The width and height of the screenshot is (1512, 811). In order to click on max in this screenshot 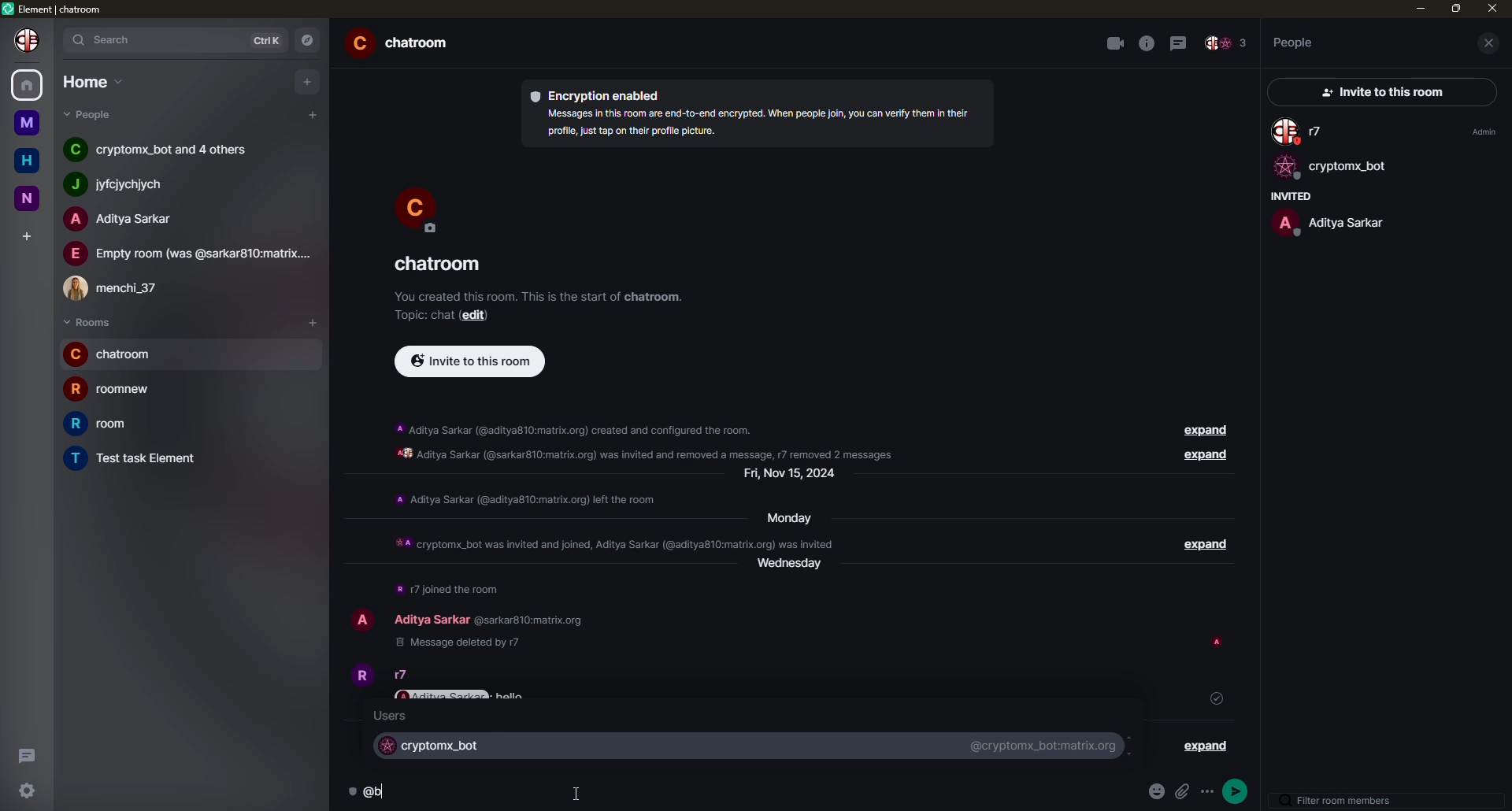, I will do `click(1457, 8)`.